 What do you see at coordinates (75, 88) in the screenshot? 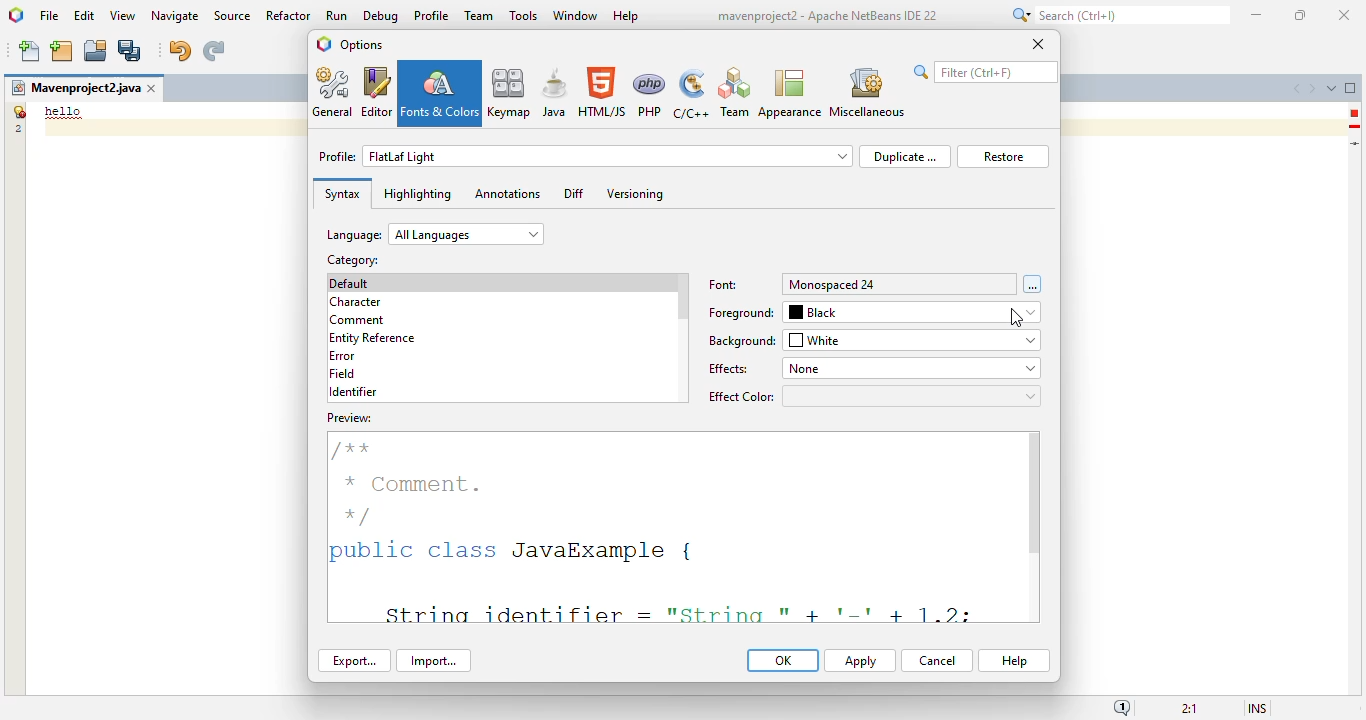
I see `project name` at bounding box center [75, 88].